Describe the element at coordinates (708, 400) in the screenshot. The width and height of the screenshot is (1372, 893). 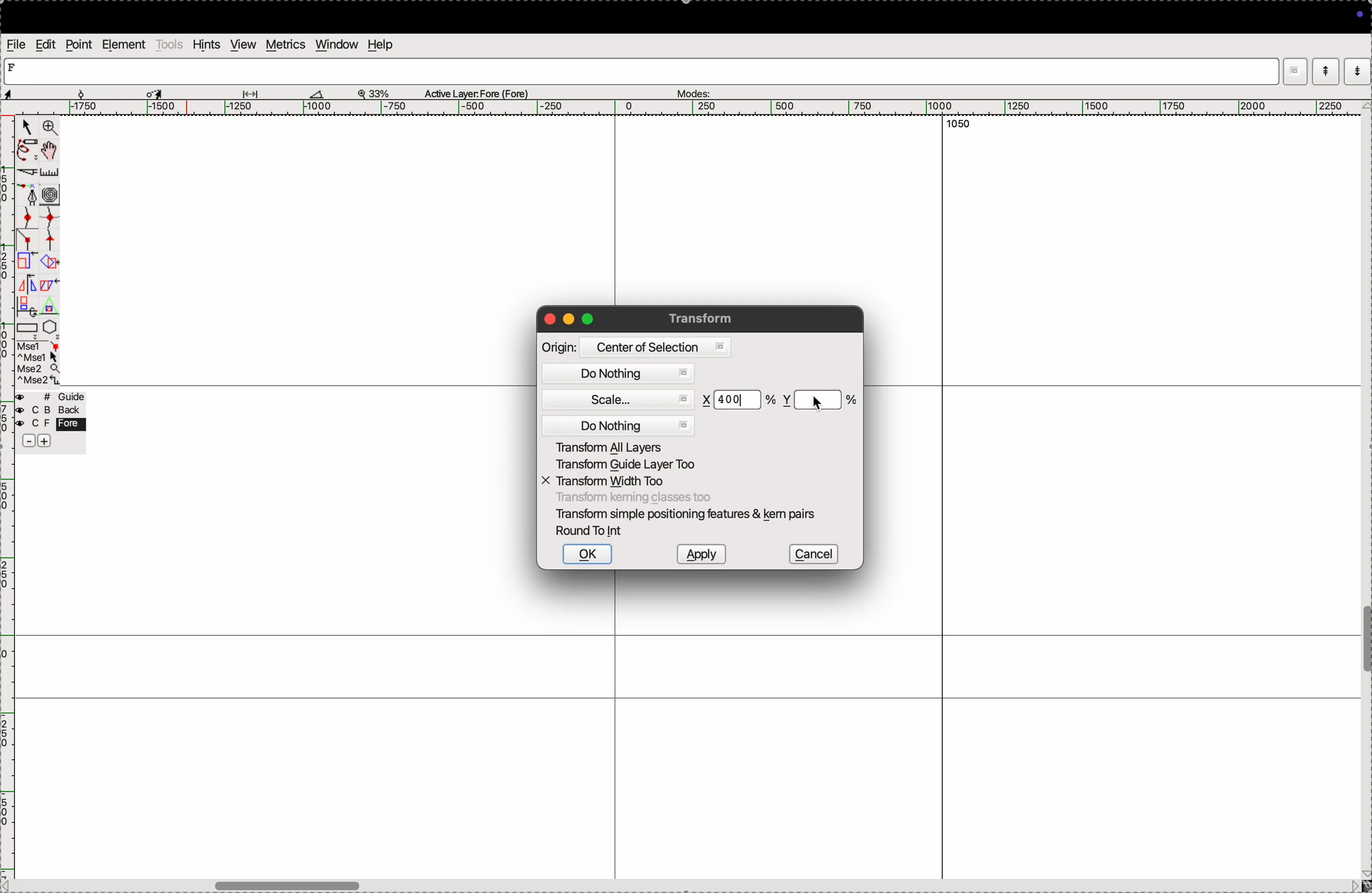
I see `x co-ordinate` at that location.